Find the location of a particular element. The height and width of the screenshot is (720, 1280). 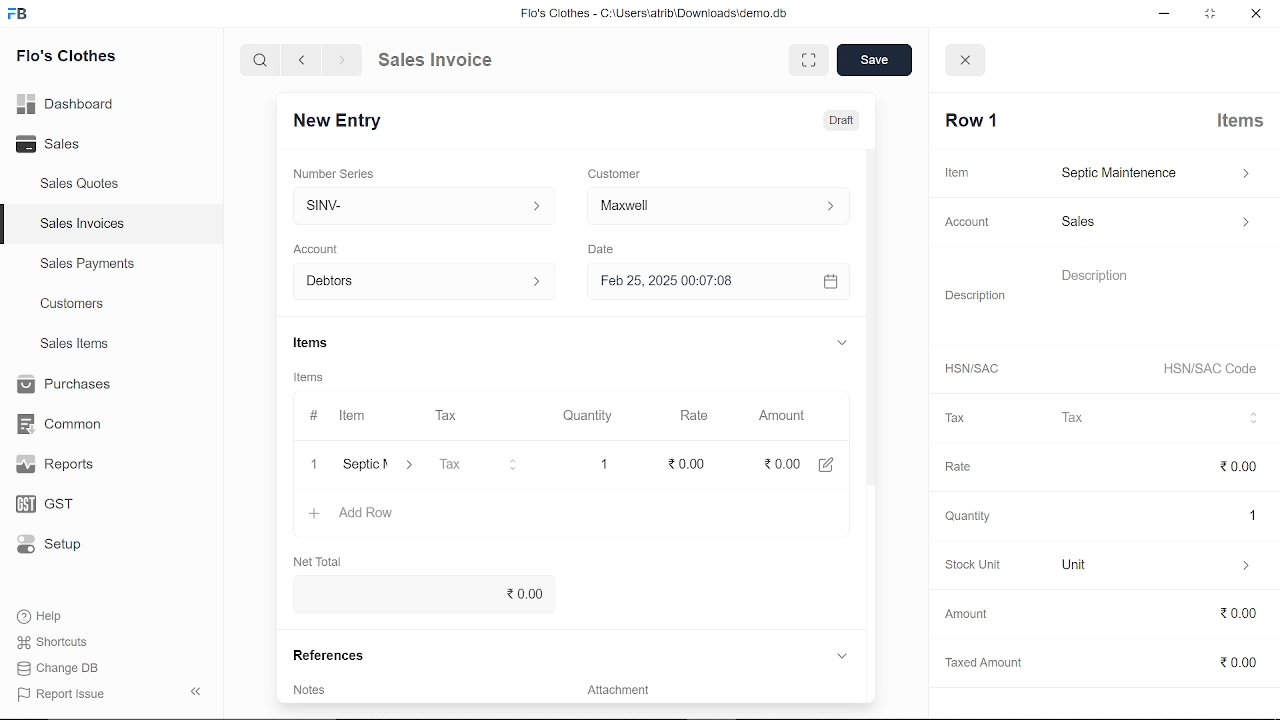

0.00 is located at coordinates (1238, 467).